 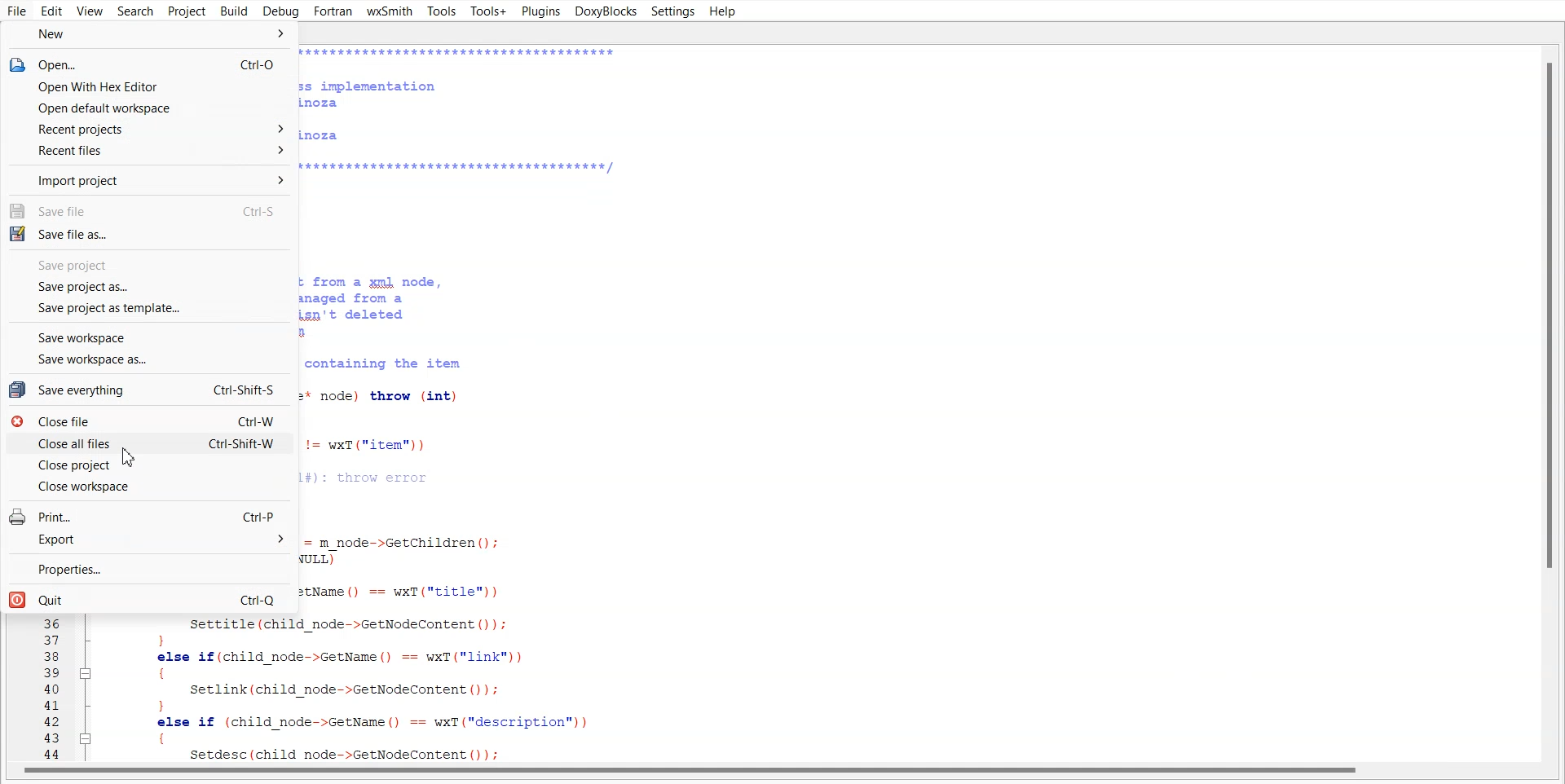 What do you see at coordinates (150, 287) in the screenshot?
I see `Save project as` at bounding box center [150, 287].